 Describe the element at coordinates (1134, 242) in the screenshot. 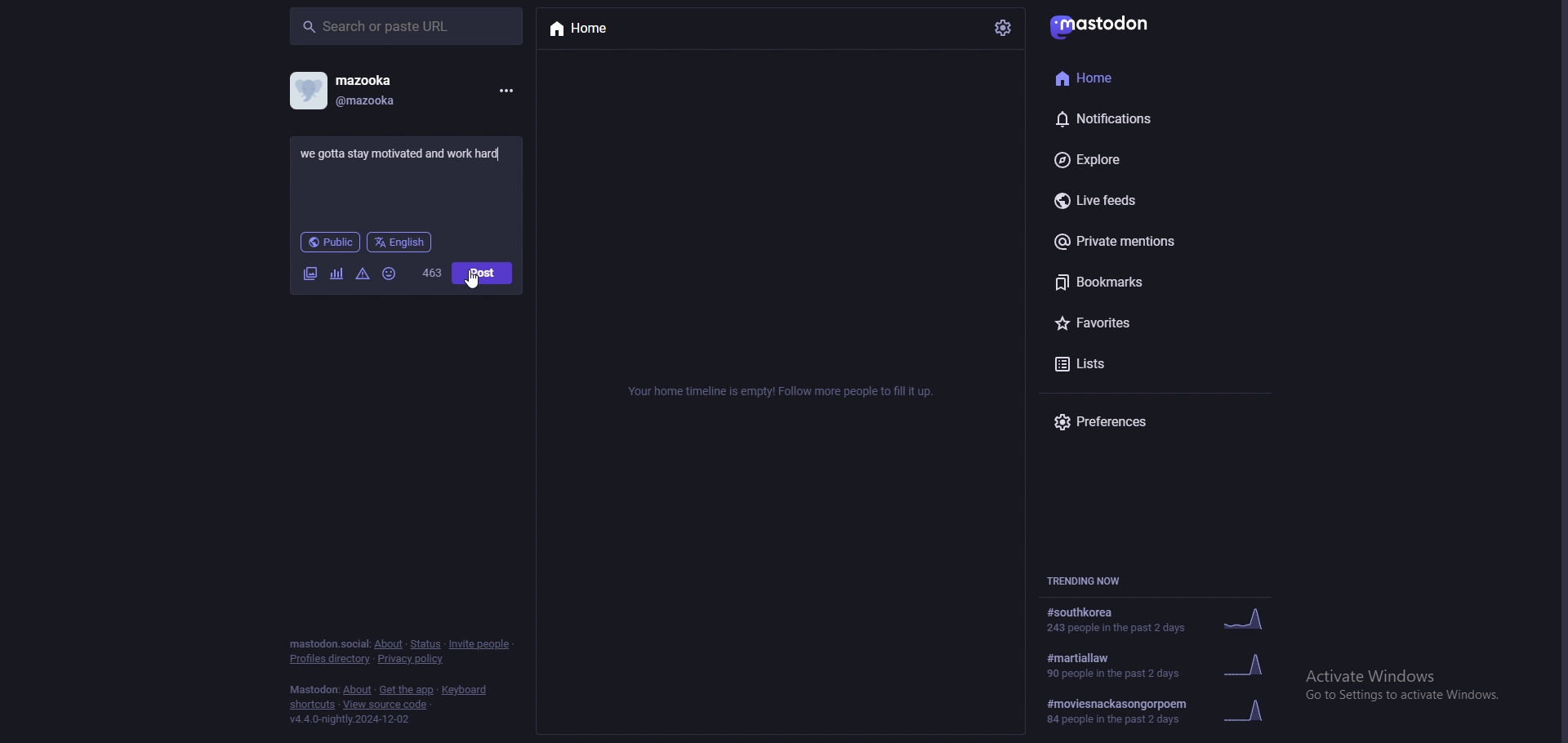

I see `private mentions` at that location.